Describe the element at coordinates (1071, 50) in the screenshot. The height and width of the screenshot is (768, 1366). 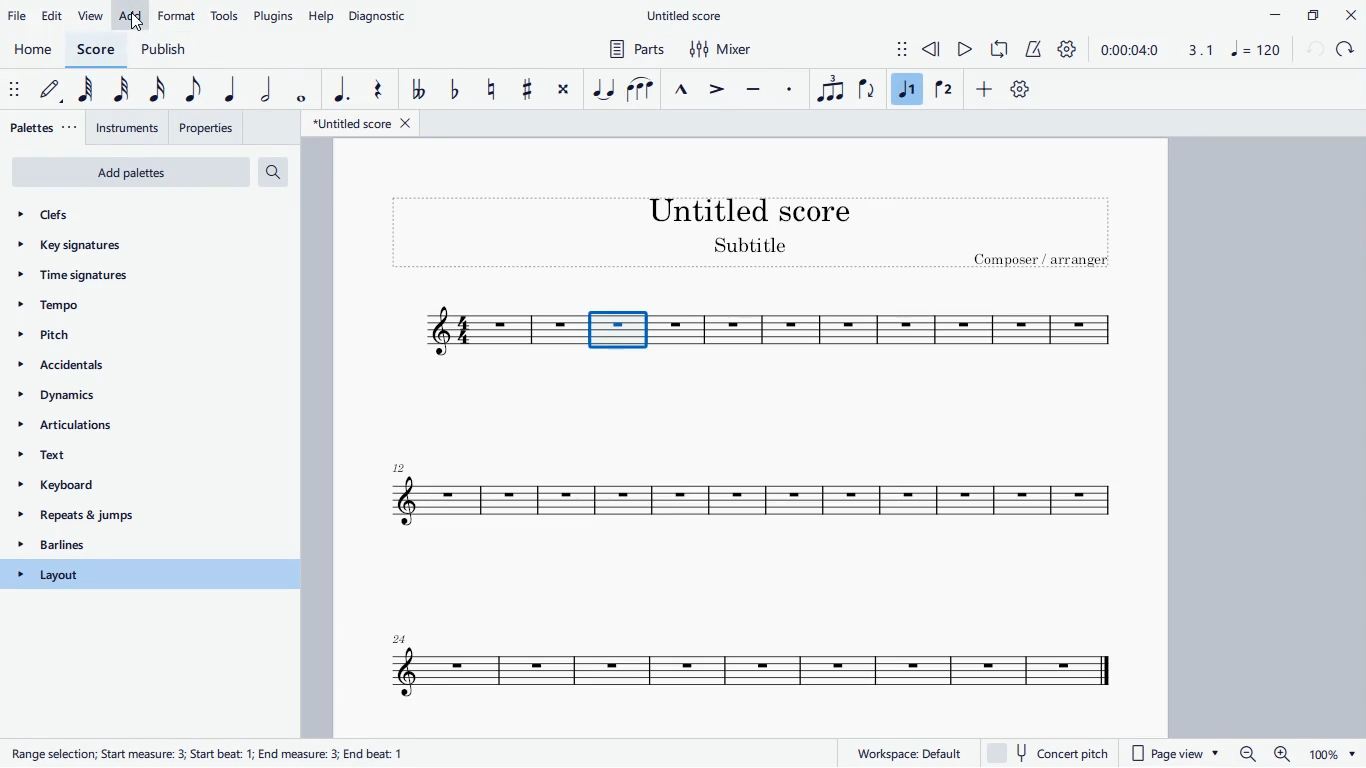
I see `settings` at that location.